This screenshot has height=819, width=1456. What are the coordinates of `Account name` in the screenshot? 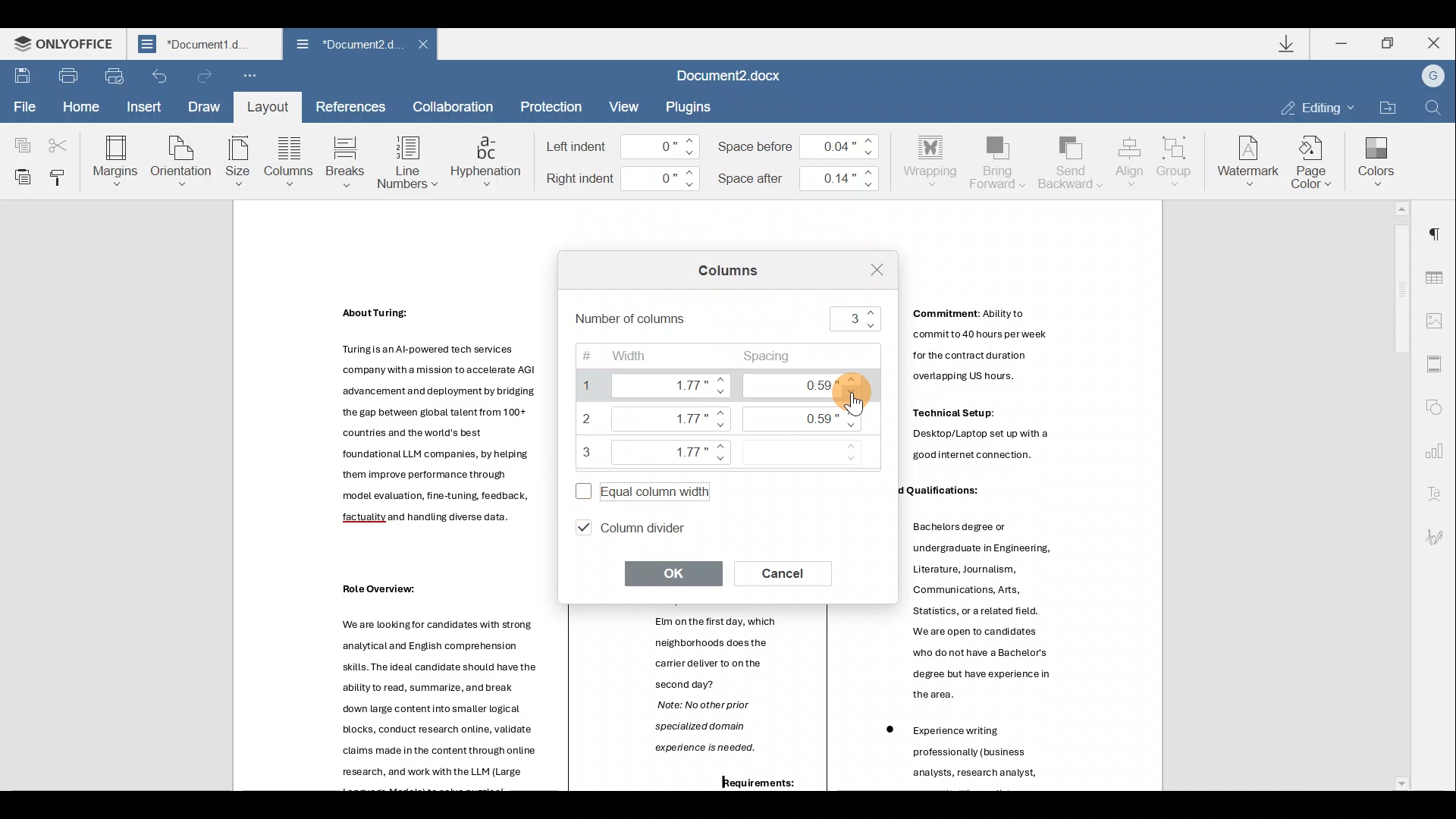 It's located at (1432, 77).